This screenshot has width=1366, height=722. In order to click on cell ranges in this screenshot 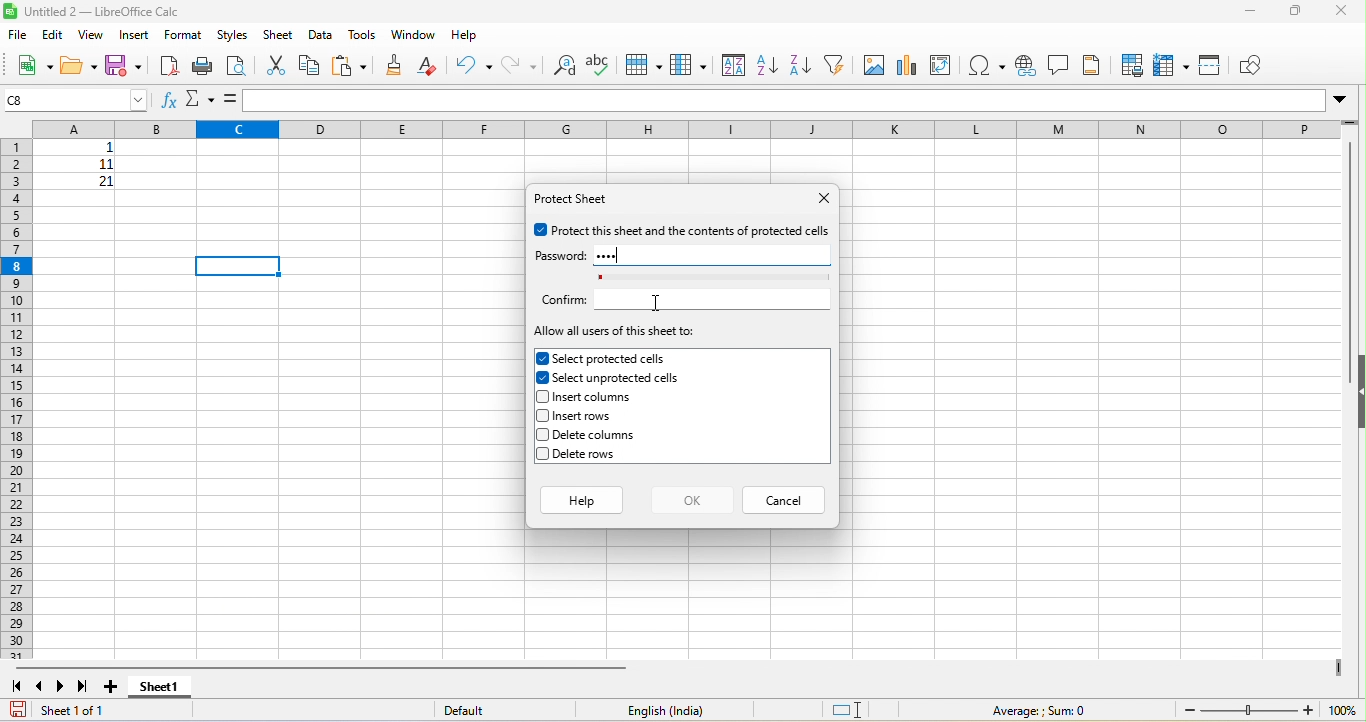, I will do `click(83, 172)`.